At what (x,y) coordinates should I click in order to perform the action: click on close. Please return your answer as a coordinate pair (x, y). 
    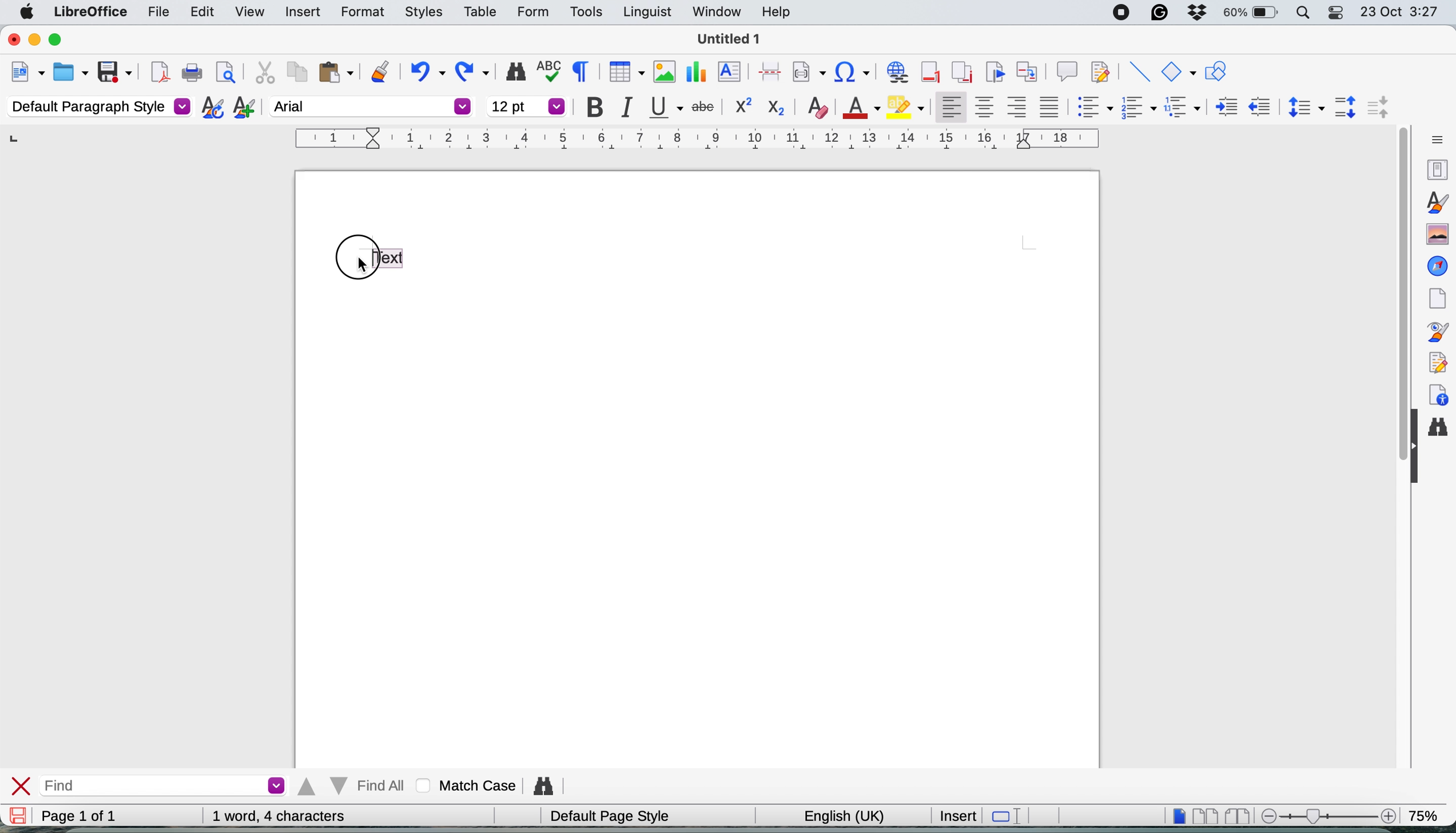
    Looking at the image, I should click on (22, 785).